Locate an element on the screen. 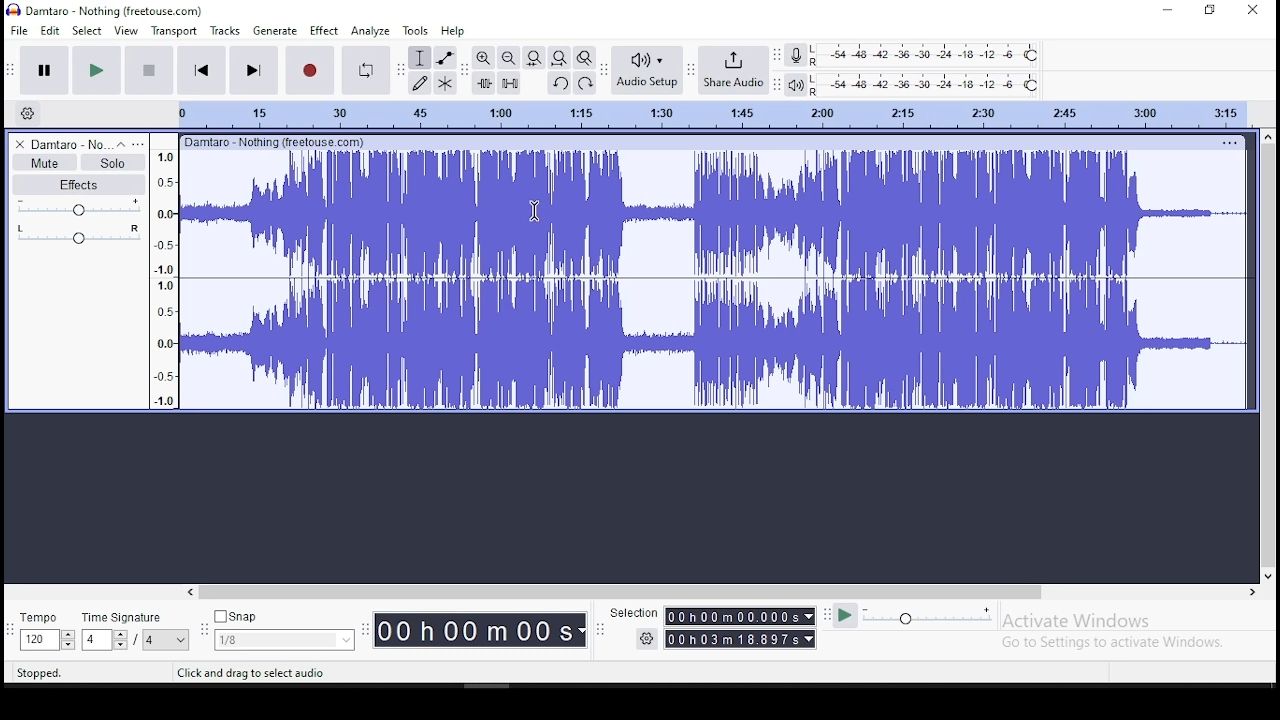 The width and height of the screenshot is (1280, 720). undo is located at coordinates (558, 83).